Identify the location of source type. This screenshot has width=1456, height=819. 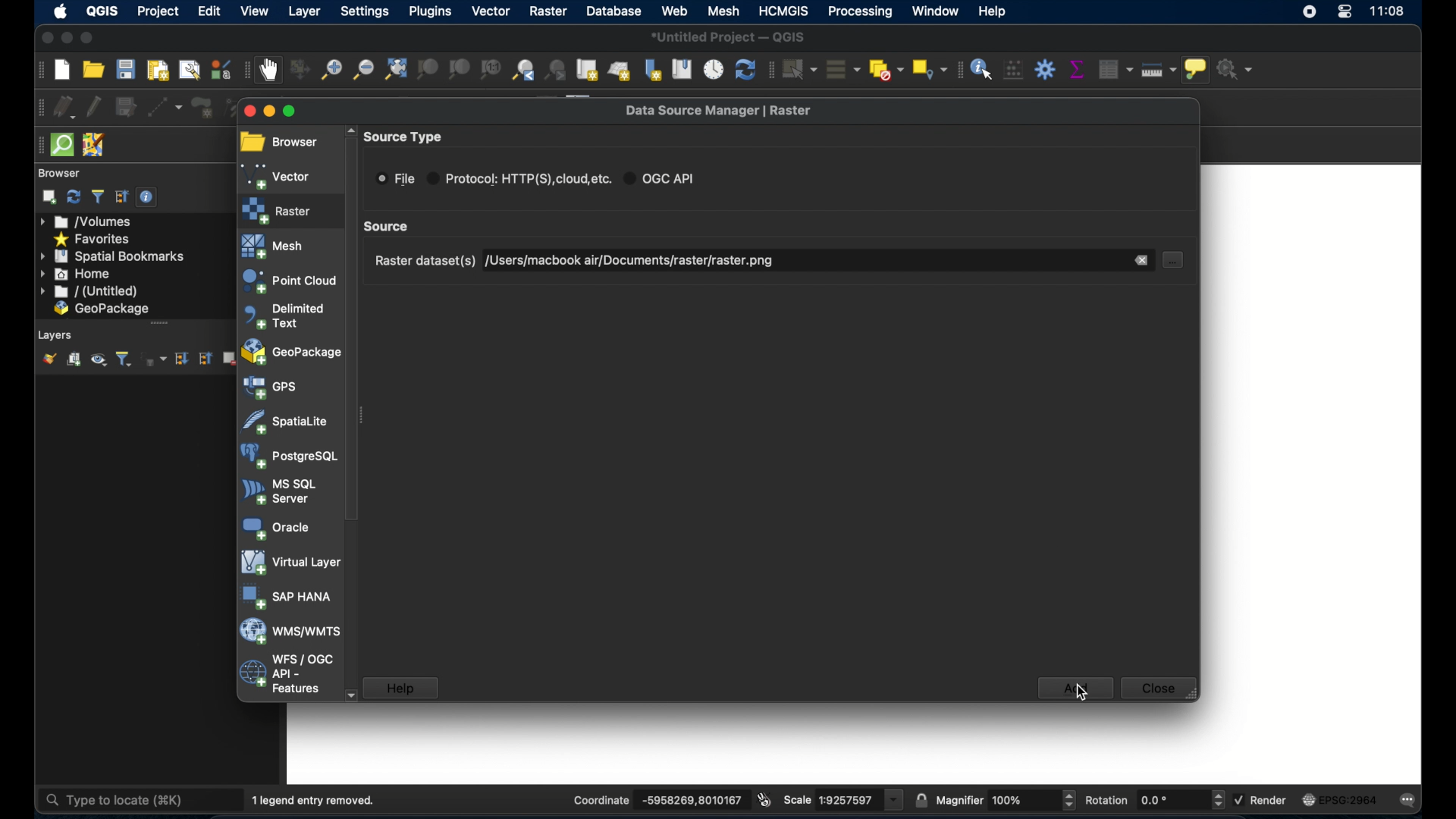
(406, 135).